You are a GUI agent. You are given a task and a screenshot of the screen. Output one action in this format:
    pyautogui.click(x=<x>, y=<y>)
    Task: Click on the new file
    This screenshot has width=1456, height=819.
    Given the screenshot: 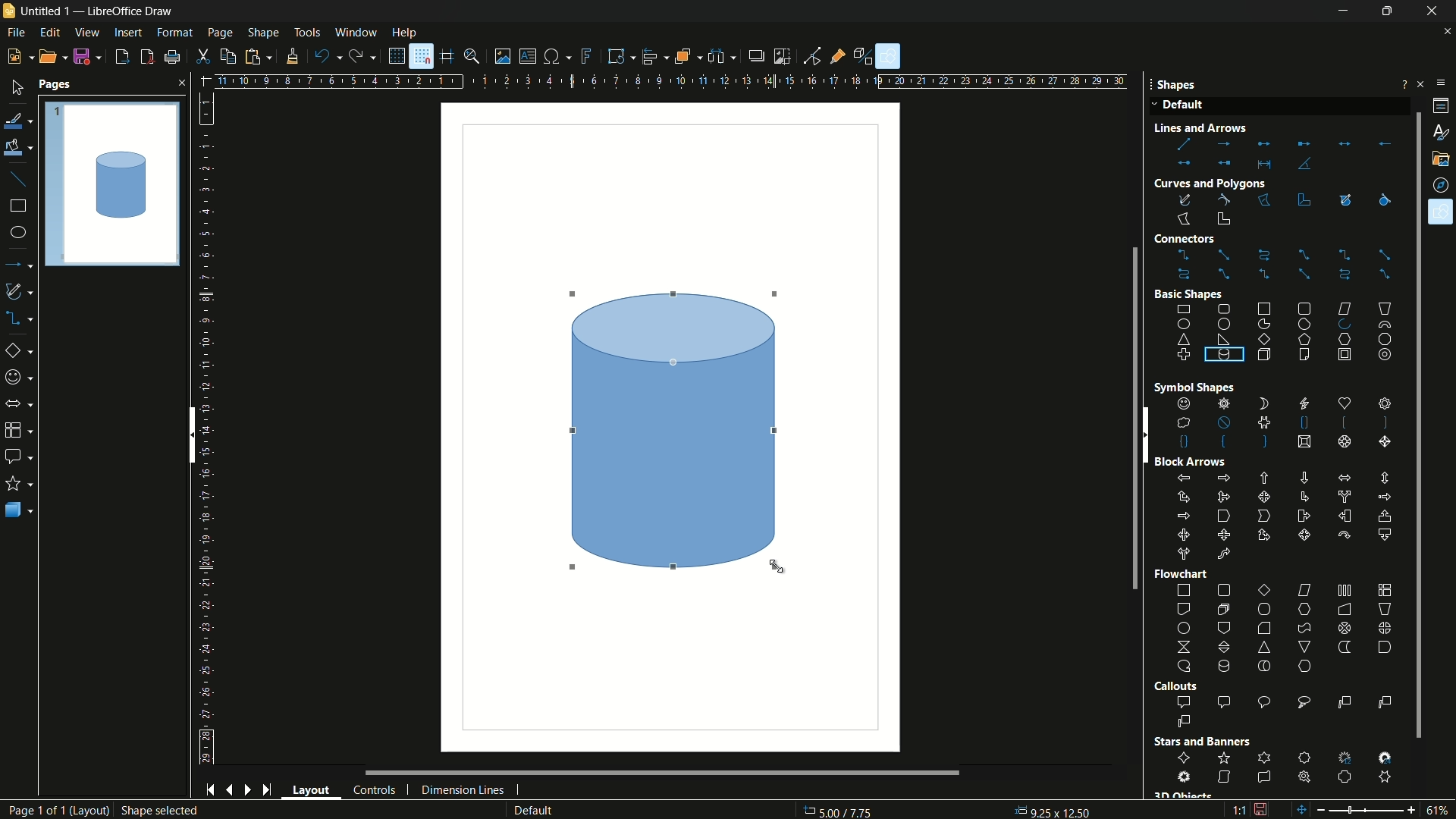 What is the action you would take?
    pyautogui.click(x=18, y=57)
    